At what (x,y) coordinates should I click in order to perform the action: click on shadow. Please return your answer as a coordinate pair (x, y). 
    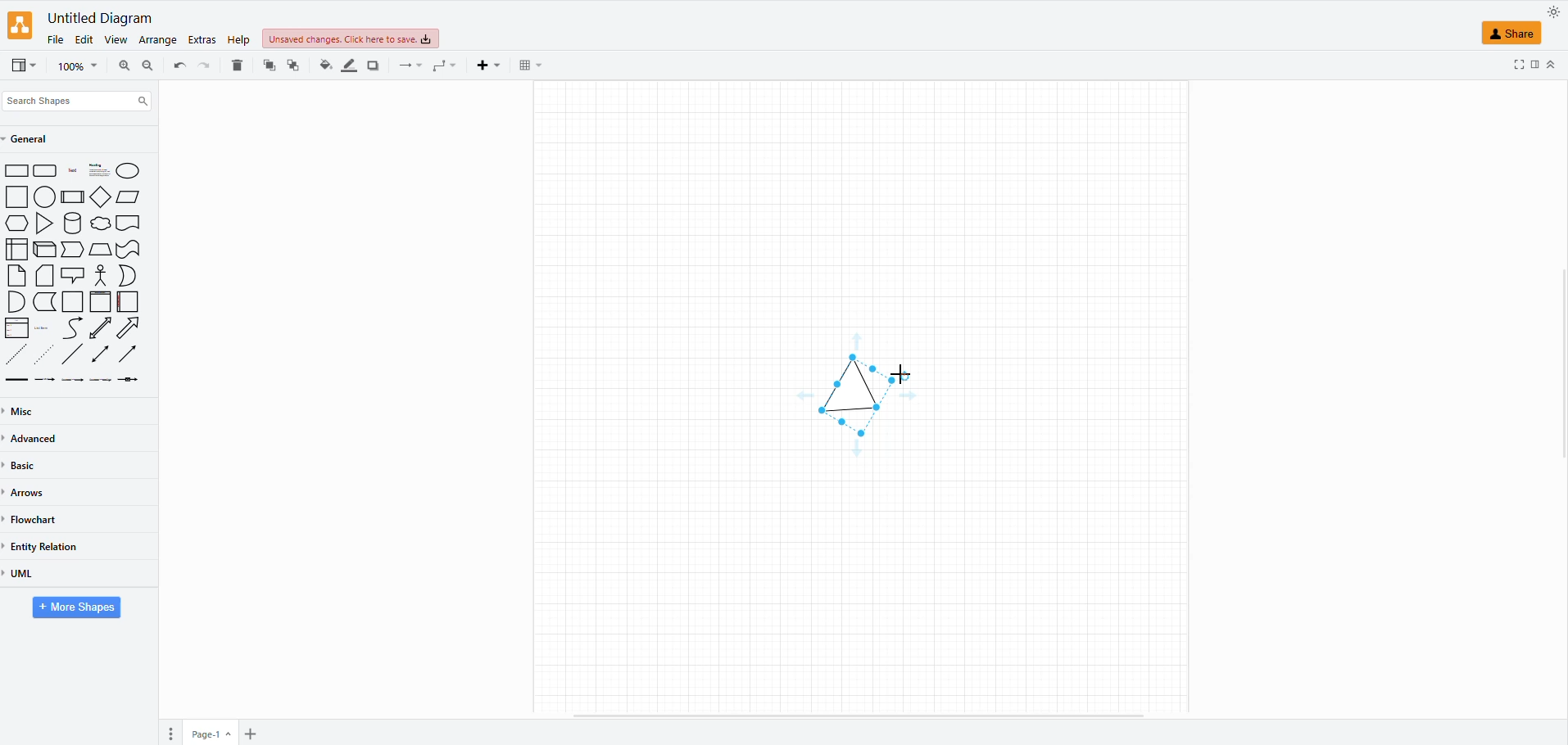
    Looking at the image, I should click on (372, 63).